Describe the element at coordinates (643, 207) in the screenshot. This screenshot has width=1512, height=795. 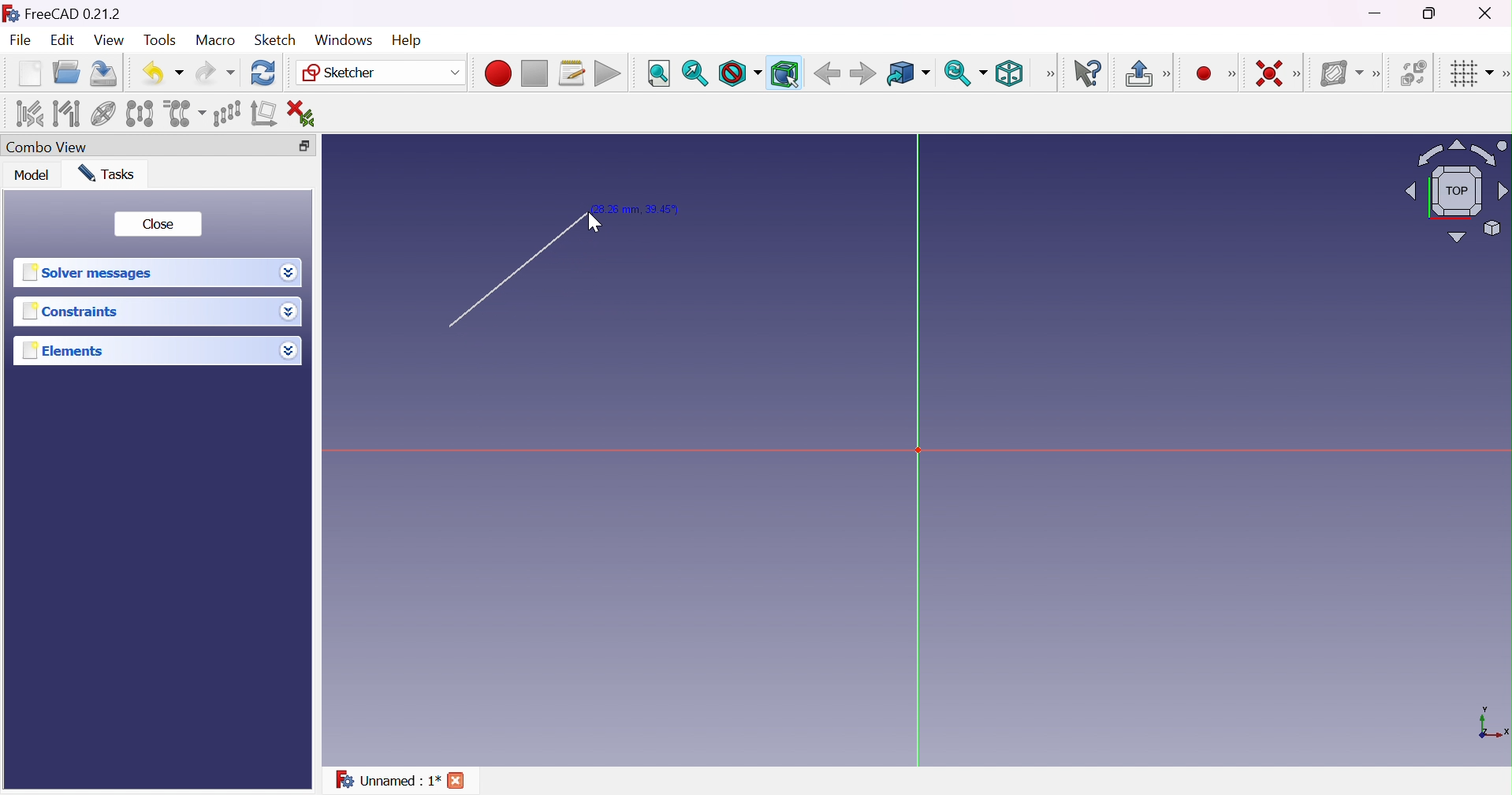
I see `(28.26, 39.45)` at that location.